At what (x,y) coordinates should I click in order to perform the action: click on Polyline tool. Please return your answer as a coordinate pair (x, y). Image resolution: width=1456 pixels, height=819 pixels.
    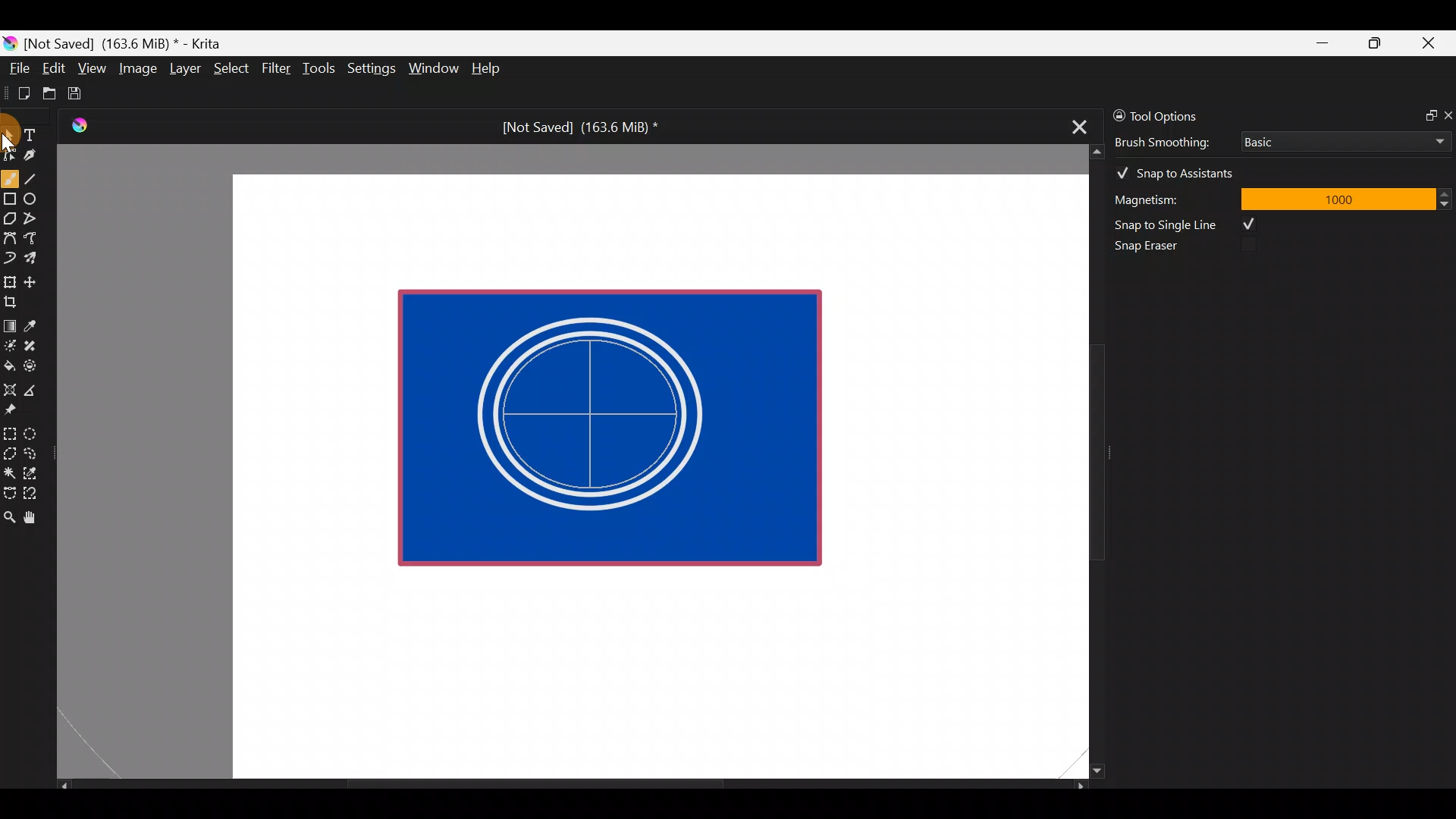
    Looking at the image, I should click on (36, 219).